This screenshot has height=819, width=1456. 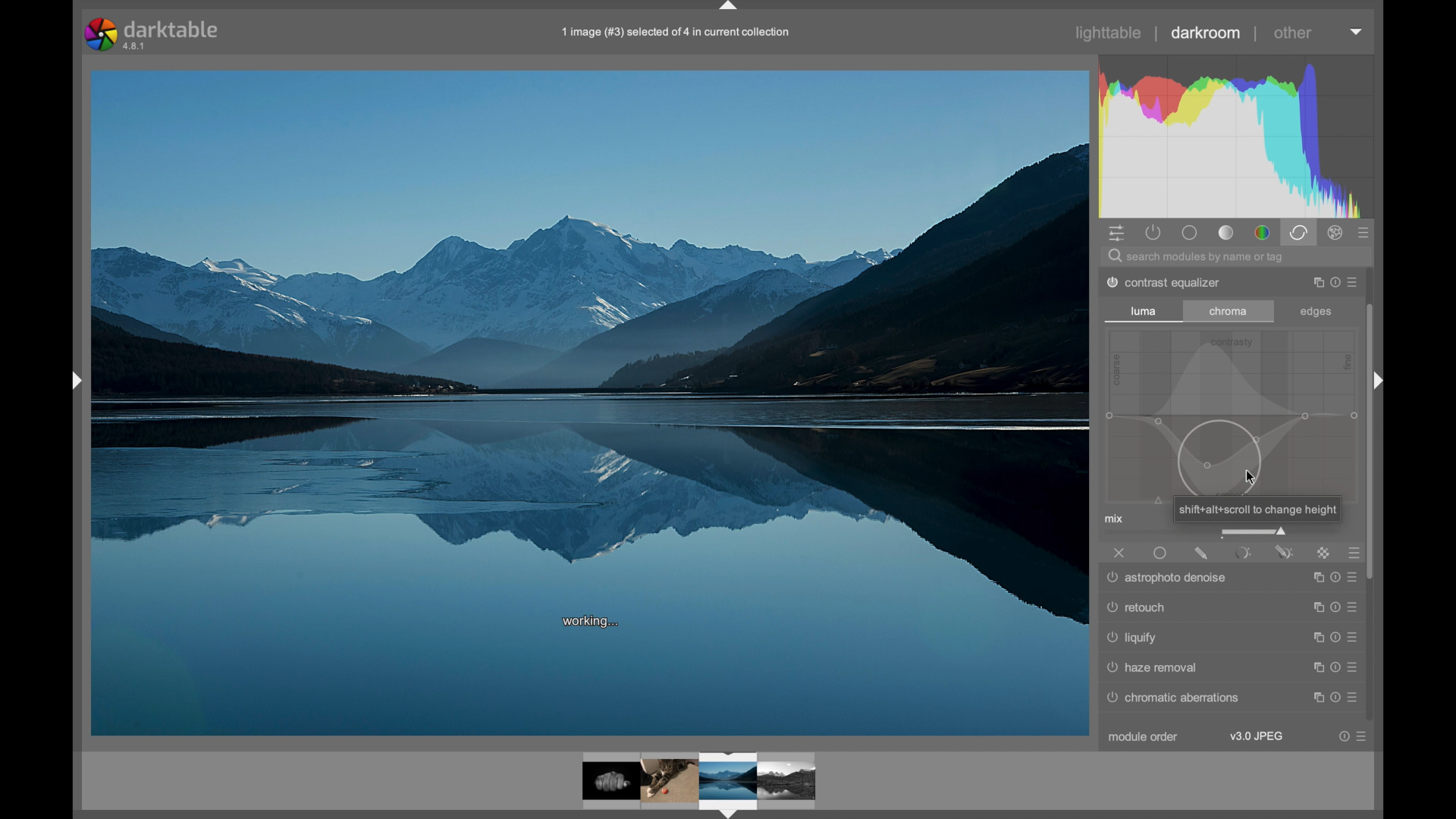 I want to click on more options, so click(x=1332, y=579).